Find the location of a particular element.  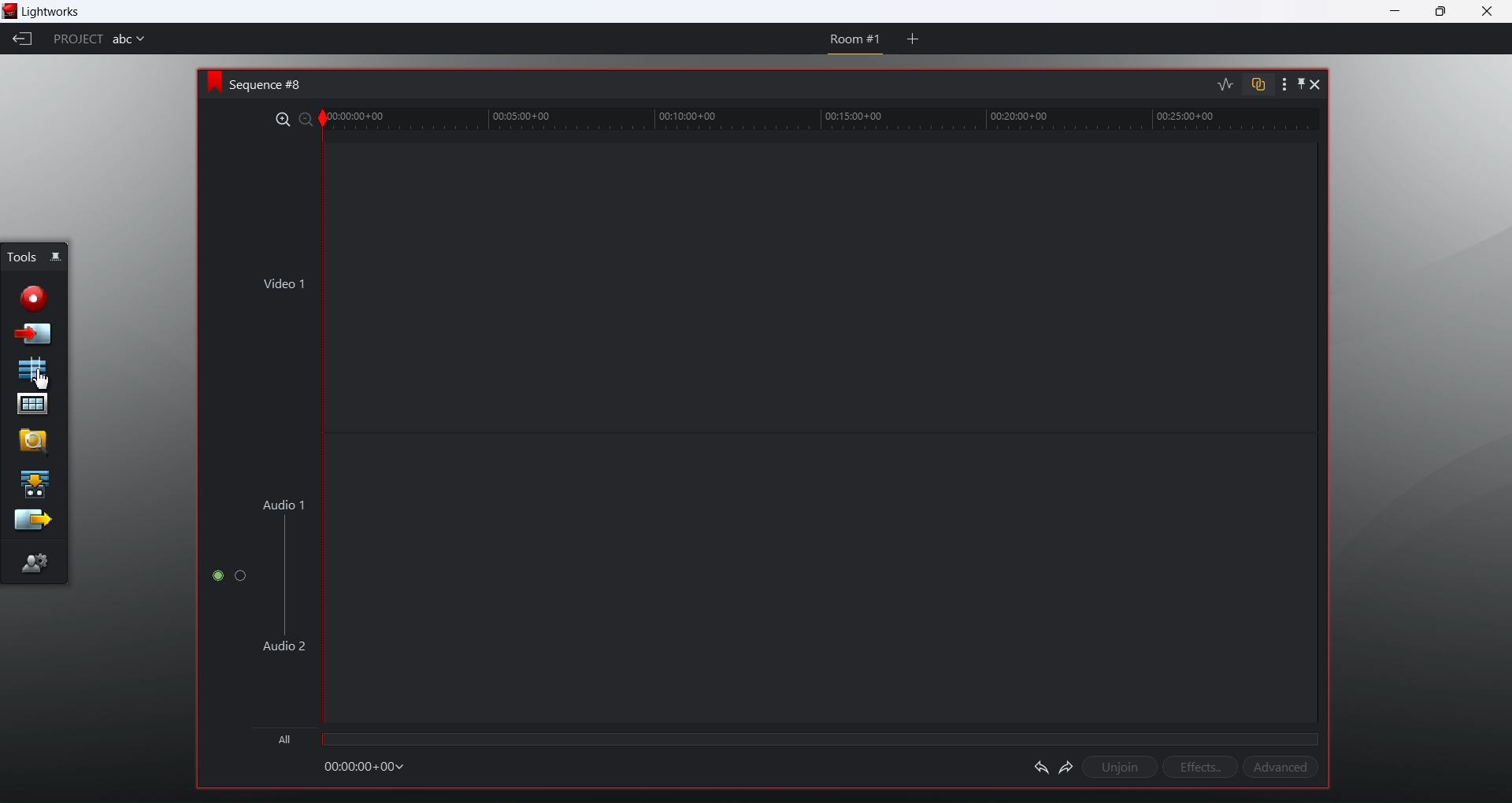

back is located at coordinates (20, 43).